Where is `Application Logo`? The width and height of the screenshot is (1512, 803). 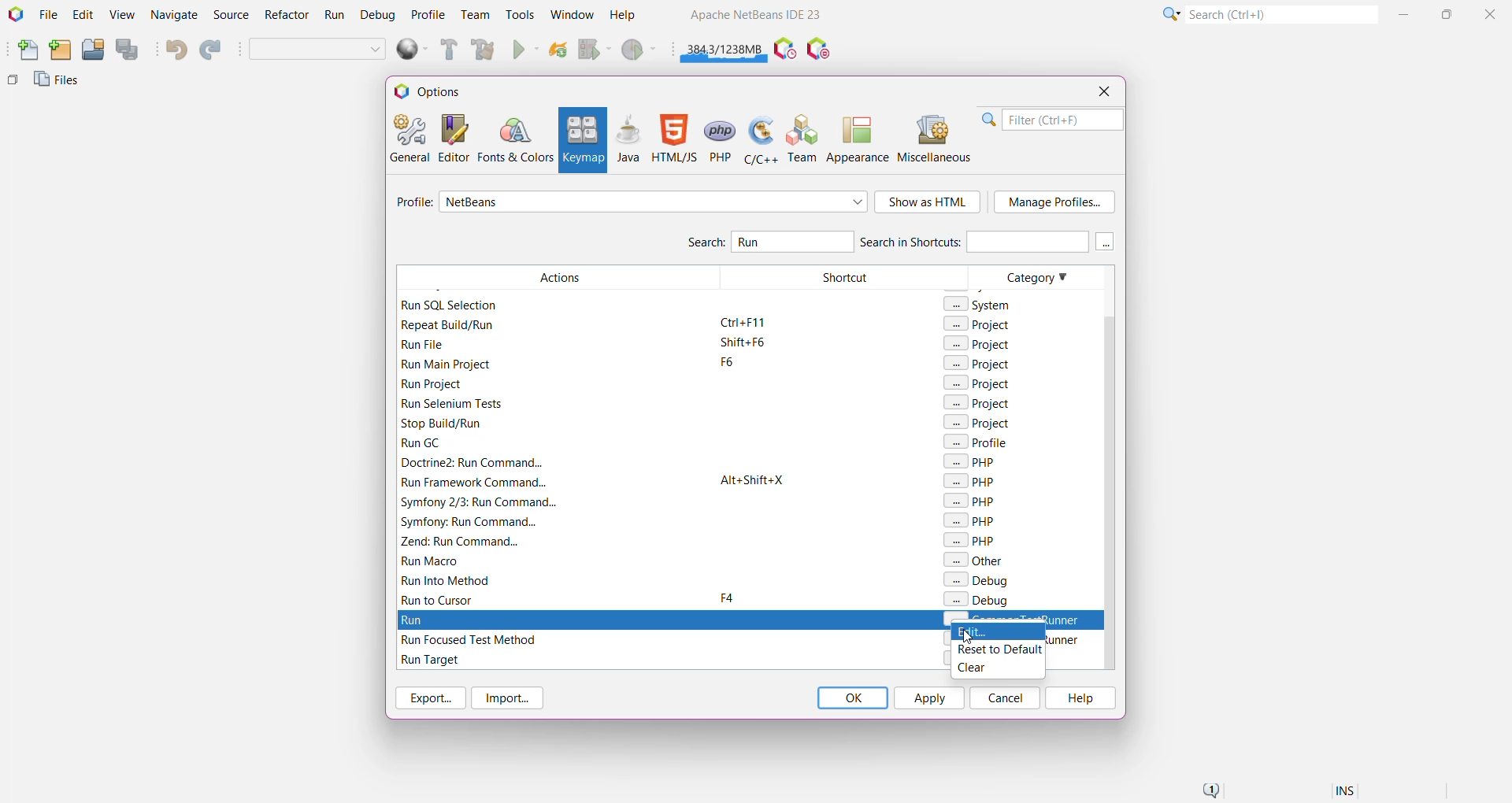
Application Logo is located at coordinates (14, 15).